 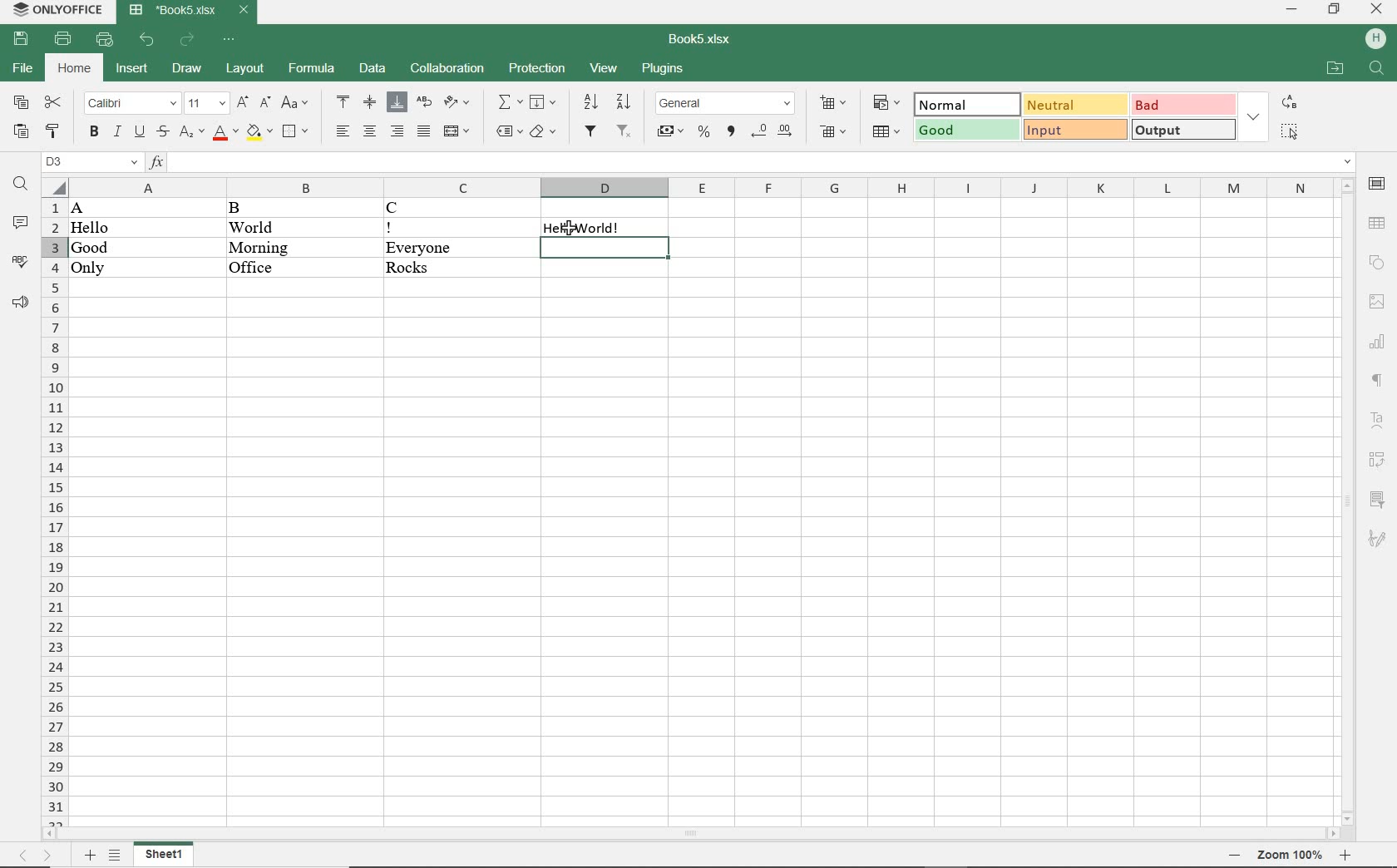 What do you see at coordinates (774, 131) in the screenshot?
I see `CHANGE DECIMAL` at bounding box center [774, 131].